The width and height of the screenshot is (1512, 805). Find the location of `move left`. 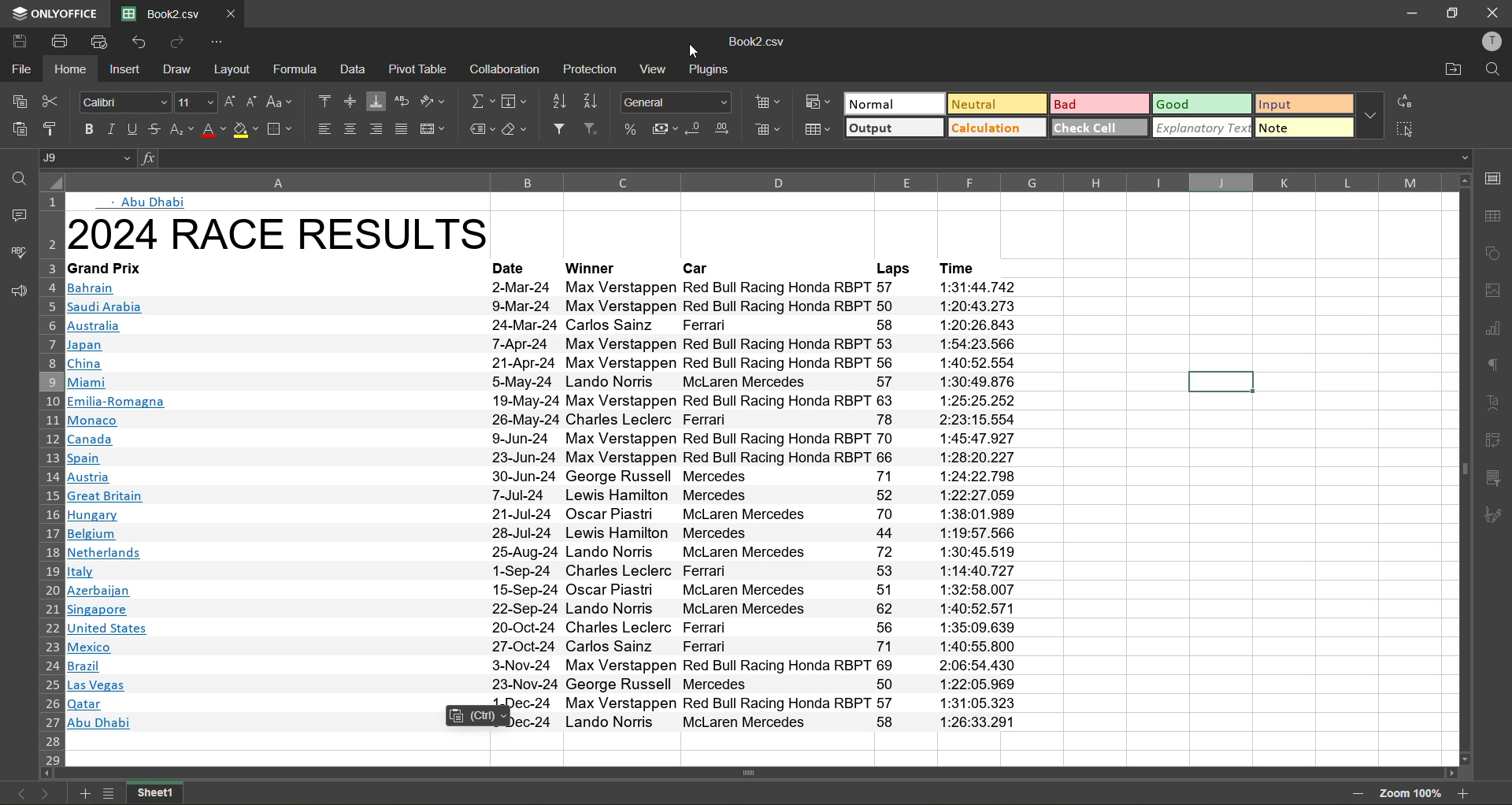

move left is located at coordinates (47, 775).